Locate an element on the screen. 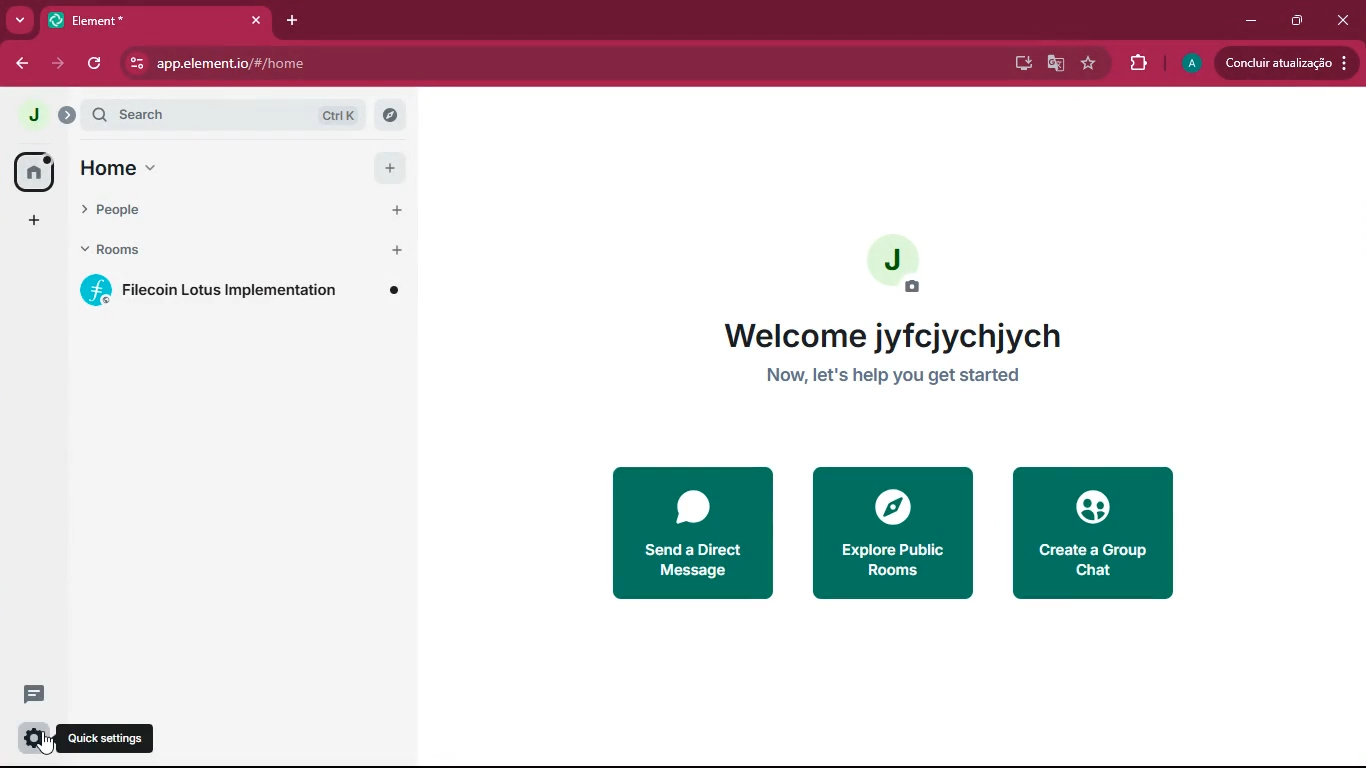 This screenshot has height=768, width=1366. home is located at coordinates (35, 173).